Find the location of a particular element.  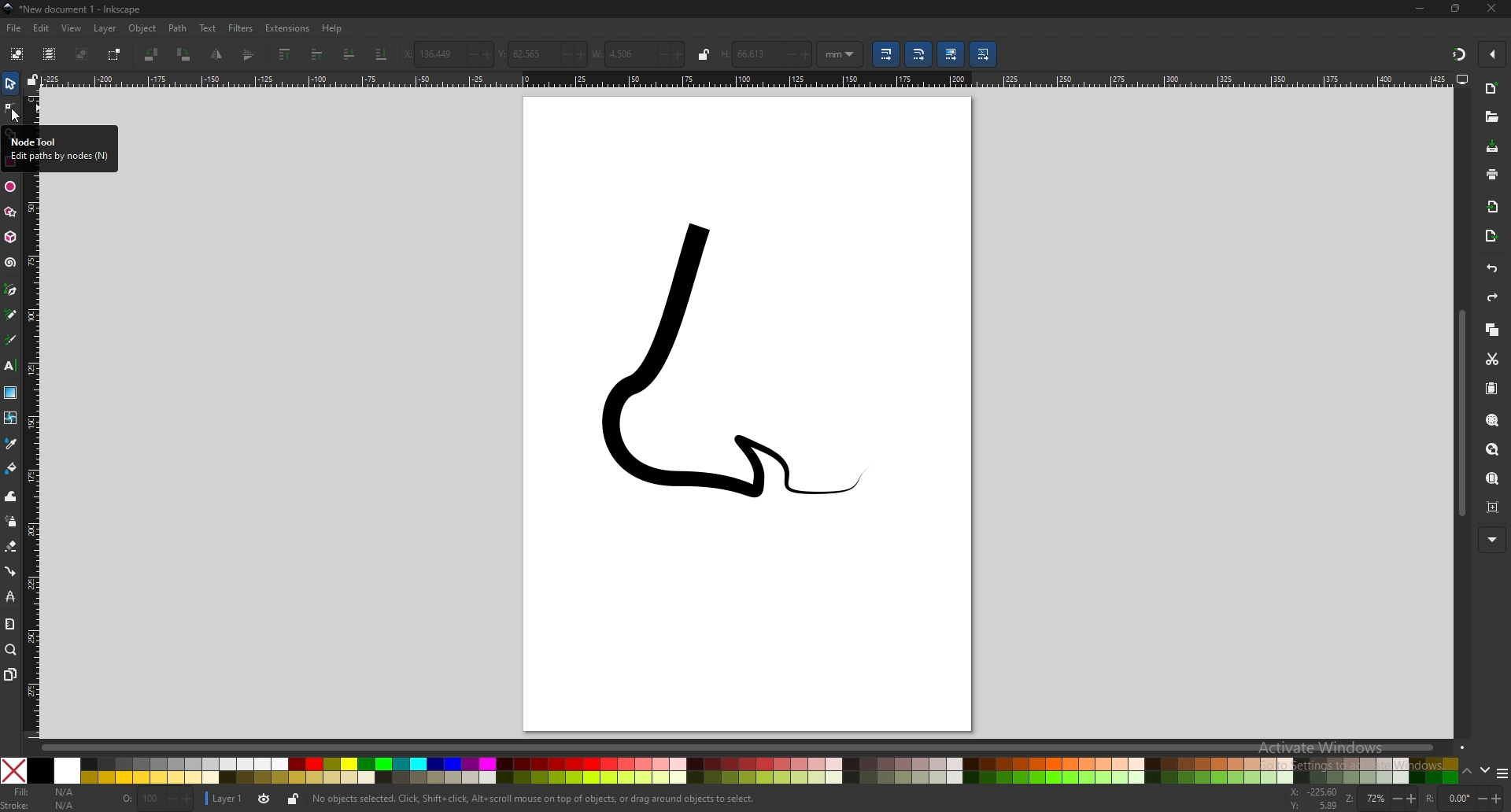

cursor is located at coordinates (17, 118).